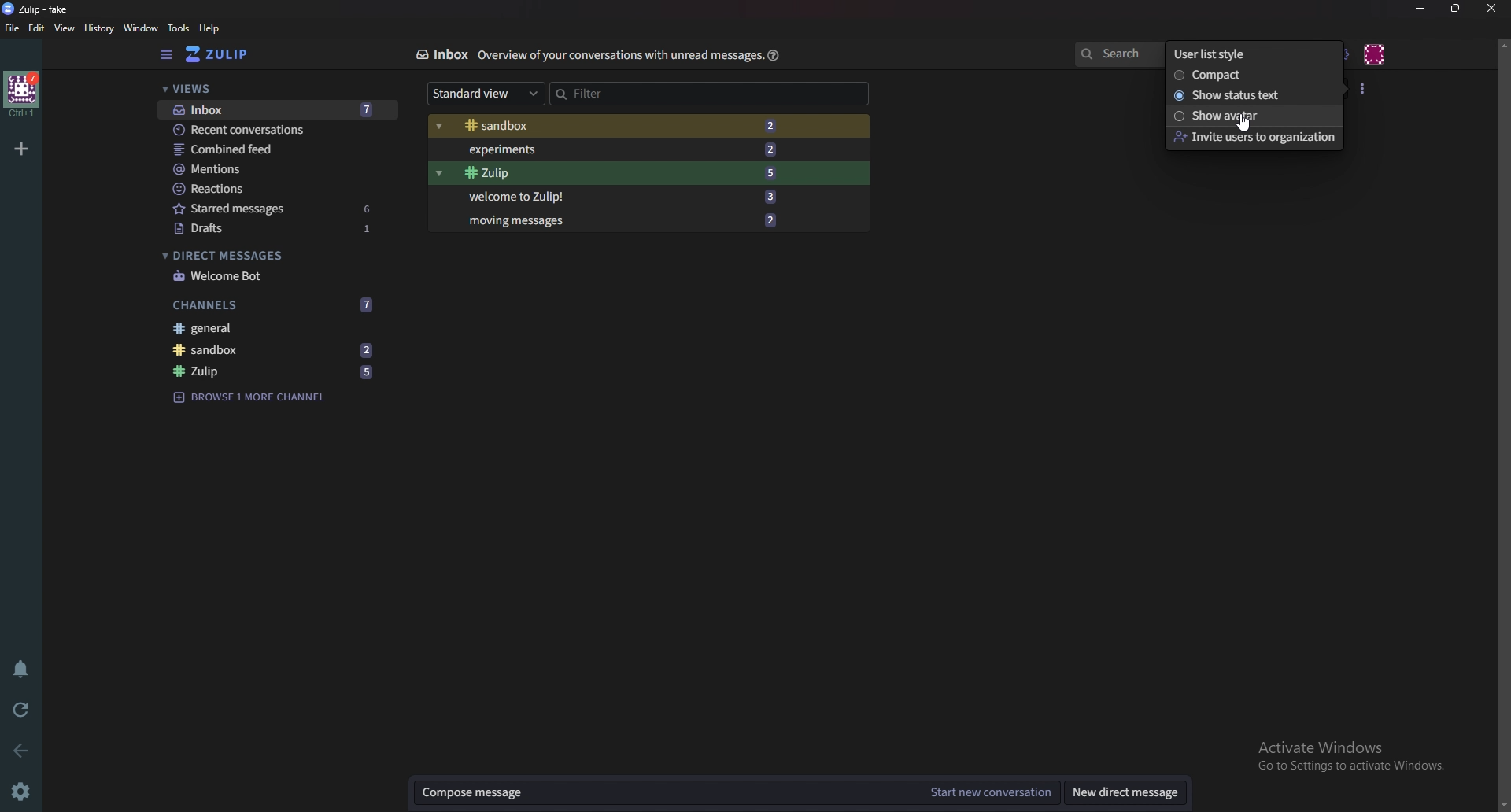  I want to click on resize, so click(1457, 9).